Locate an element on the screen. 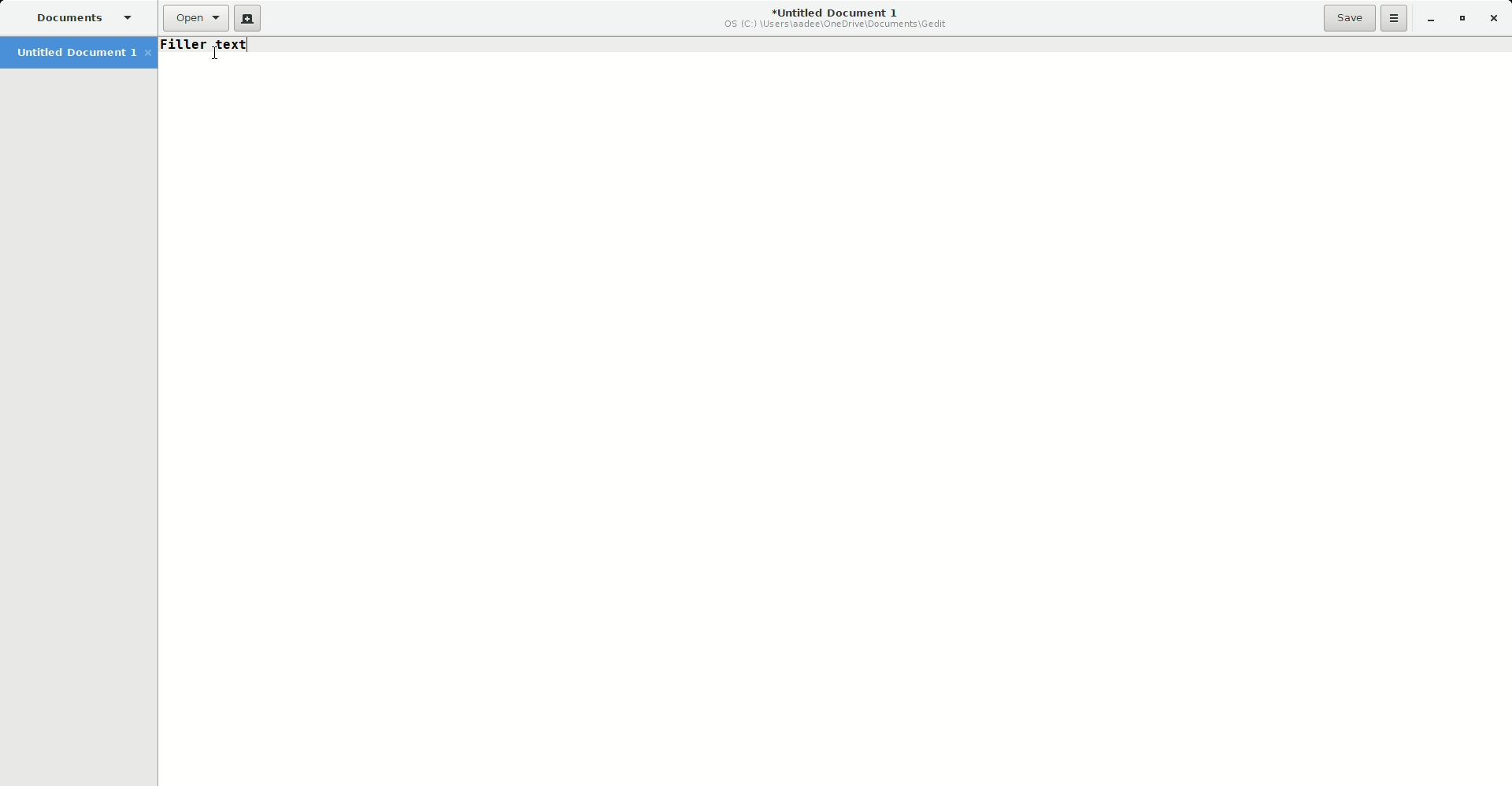 This screenshot has height=786, width=1512. Restore is located at coordinates (1462, 19).